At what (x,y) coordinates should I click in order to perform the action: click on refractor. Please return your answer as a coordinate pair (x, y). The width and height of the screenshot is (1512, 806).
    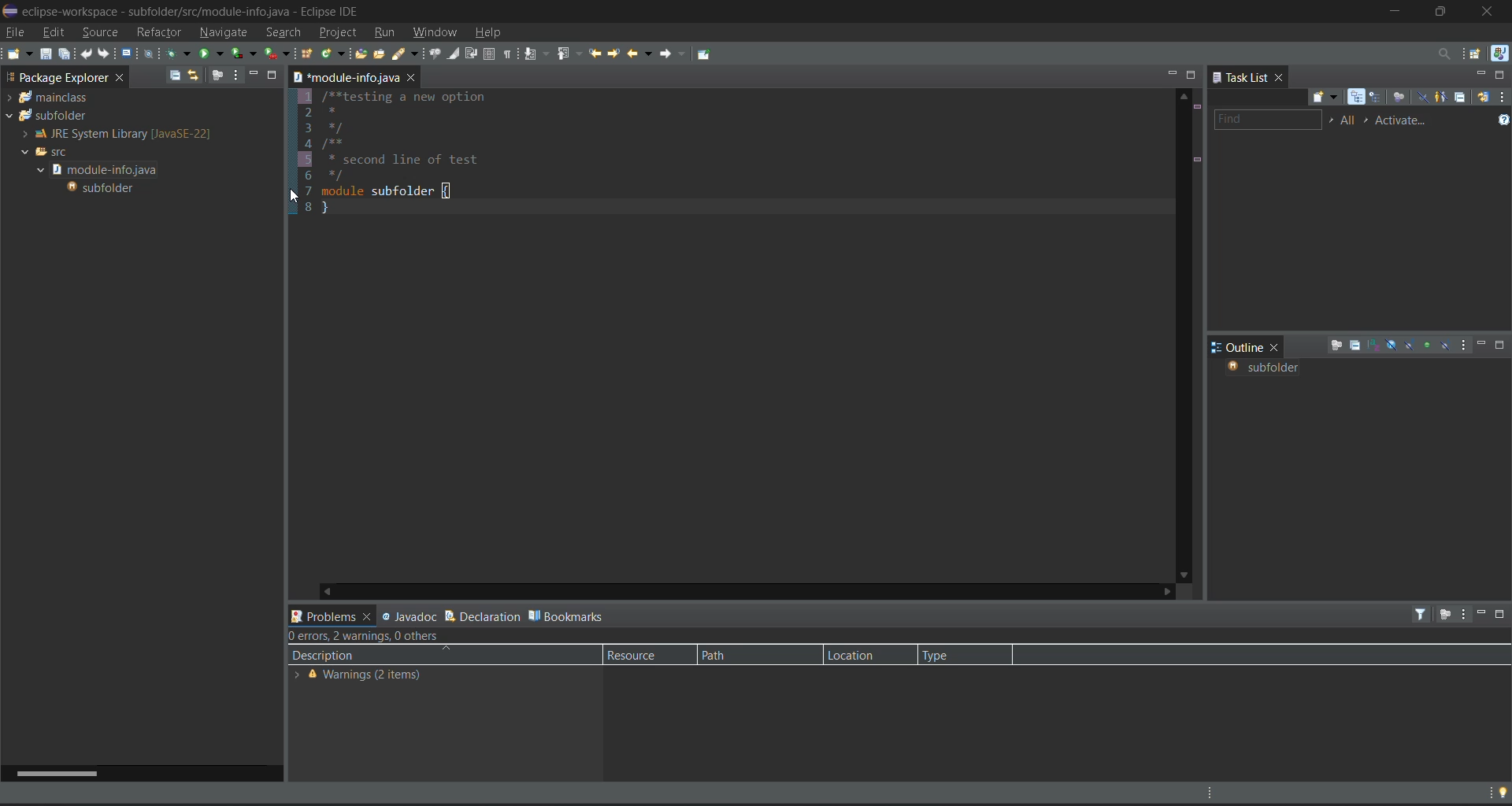
    Looking at the image, I should click on (160, 31).